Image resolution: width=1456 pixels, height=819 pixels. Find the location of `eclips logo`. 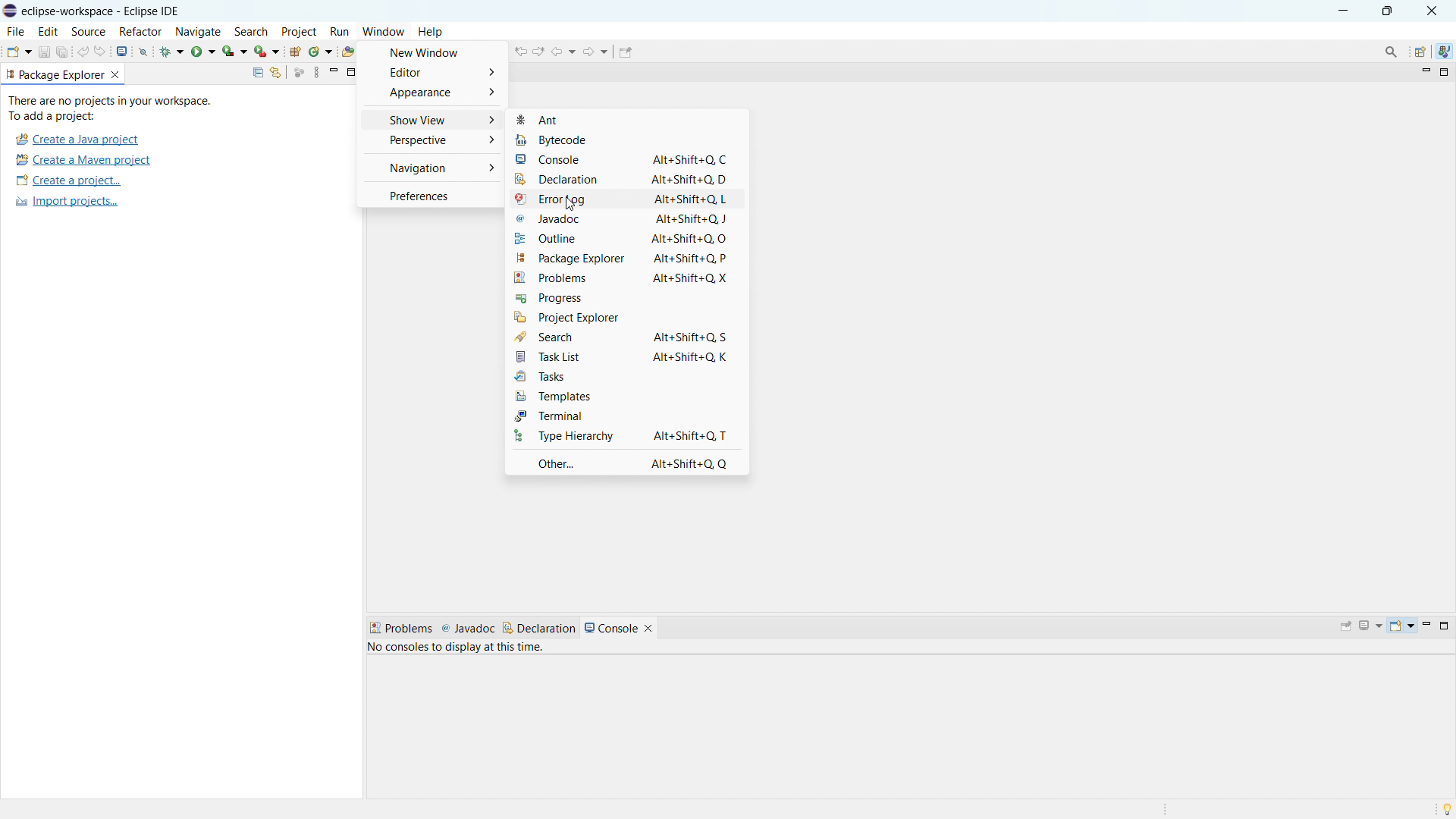

eclips logo is located at coordinates (10, 11).